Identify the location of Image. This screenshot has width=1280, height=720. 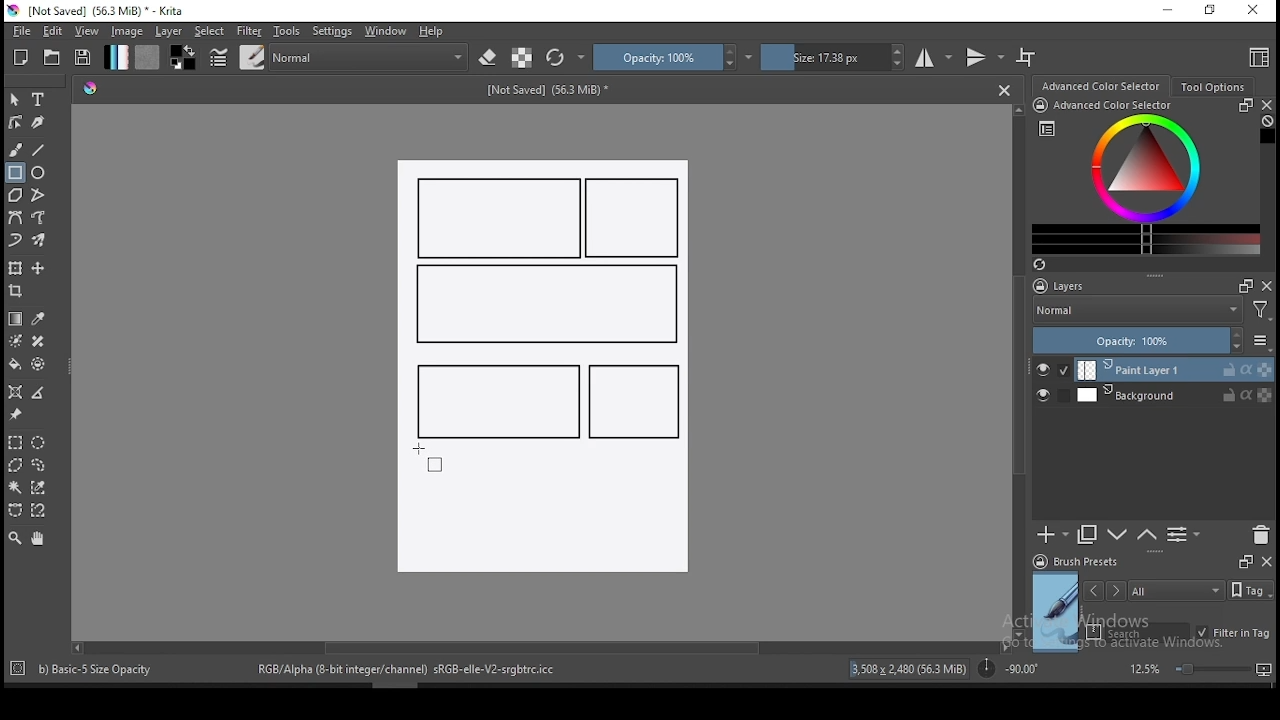
(541, 515).